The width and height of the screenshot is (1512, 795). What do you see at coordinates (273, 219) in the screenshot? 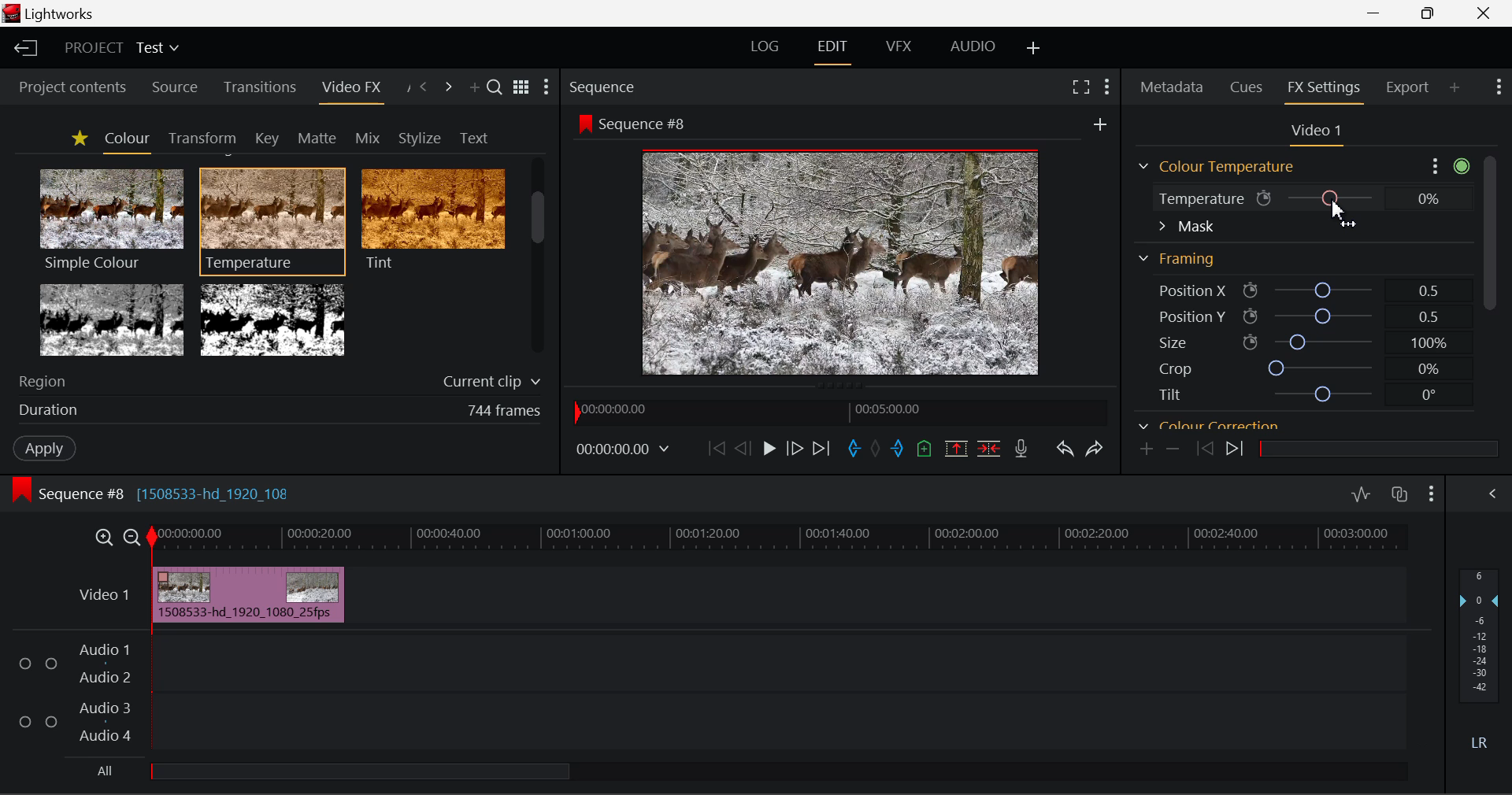
I see `Temperature` at bounding box center [273, 219].